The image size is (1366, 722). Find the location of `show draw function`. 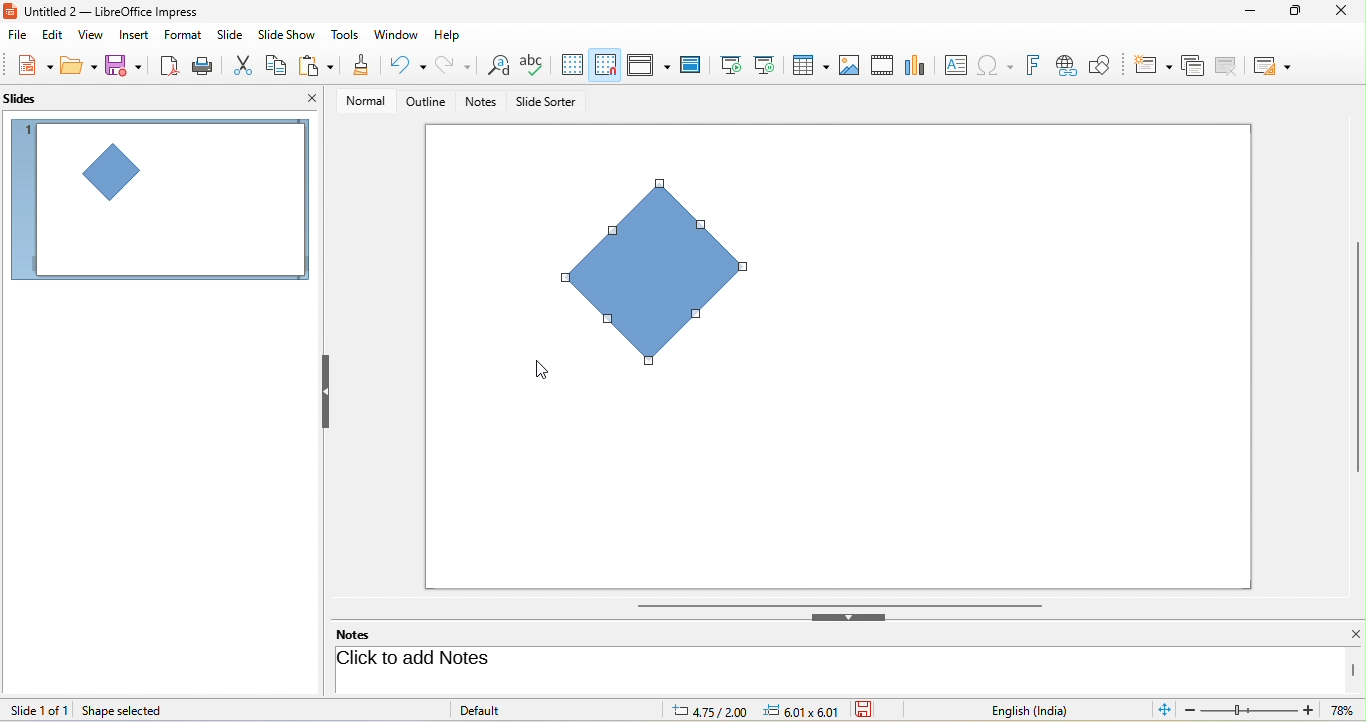

show draw function is located at coordinates (1109, 63).